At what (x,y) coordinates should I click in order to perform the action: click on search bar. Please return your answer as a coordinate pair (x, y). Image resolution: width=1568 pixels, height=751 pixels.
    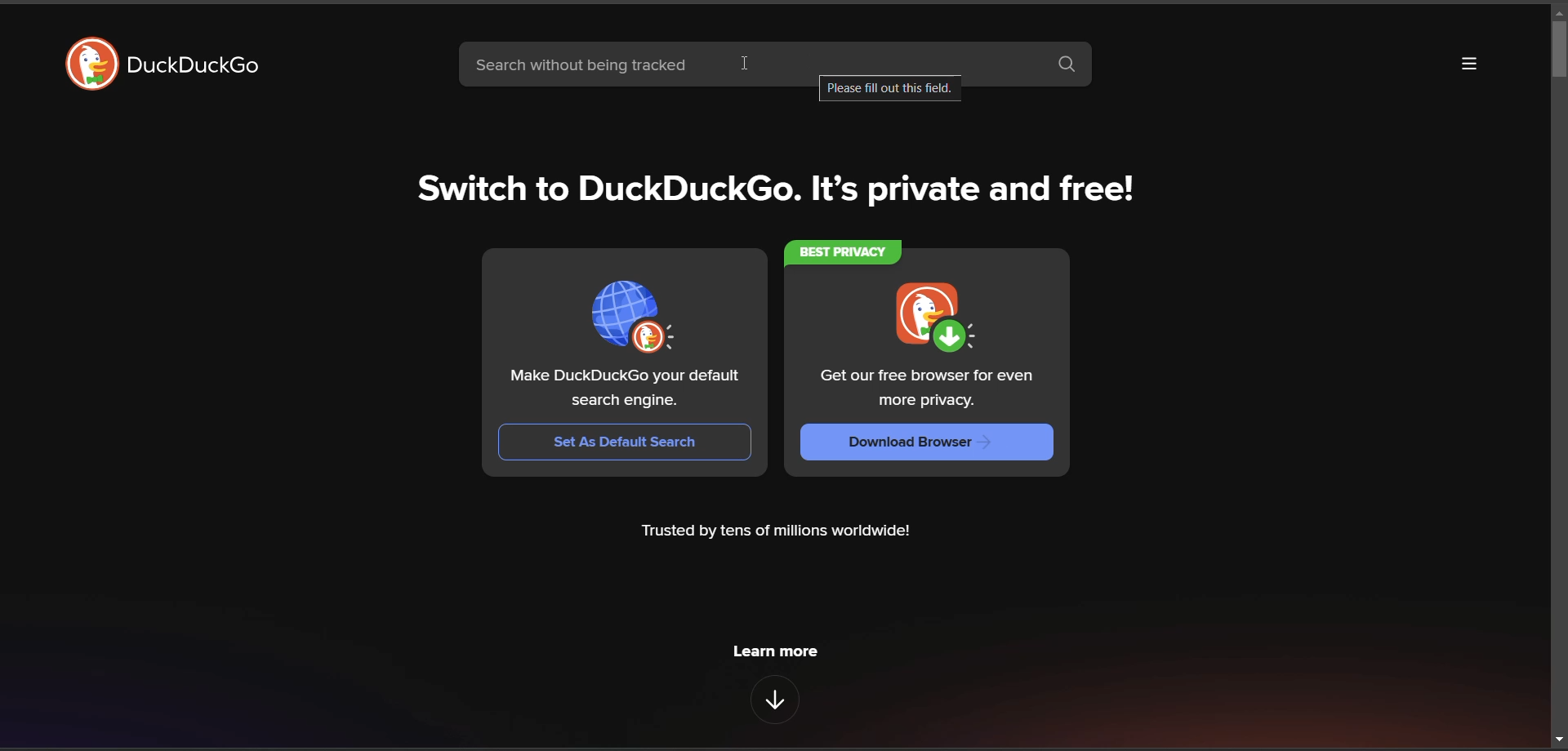
    Looking at the image, I should click on (736, 67).